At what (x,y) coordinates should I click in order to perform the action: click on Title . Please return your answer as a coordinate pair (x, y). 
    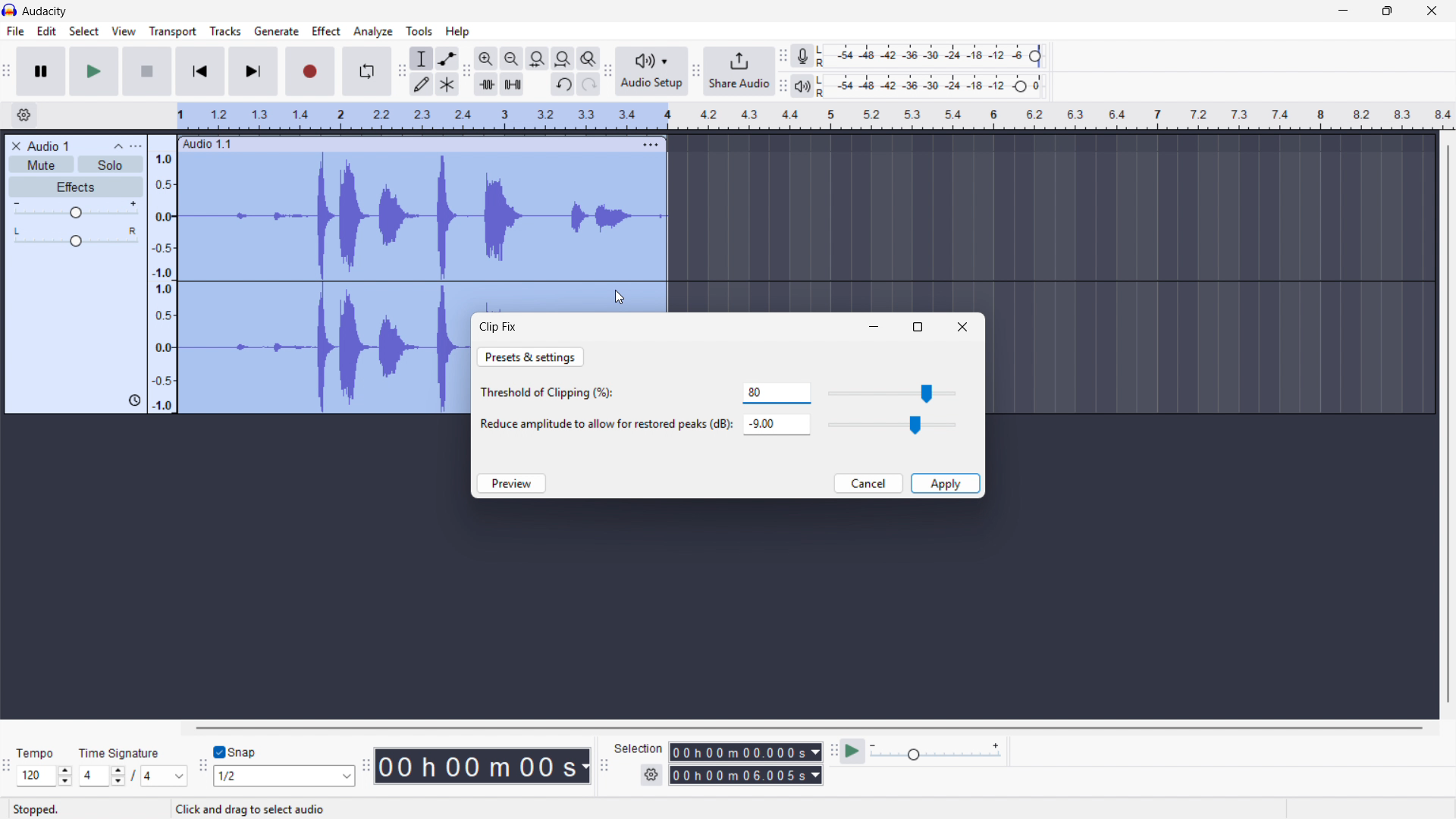
    Looking at the image, I should click on (45, 11).